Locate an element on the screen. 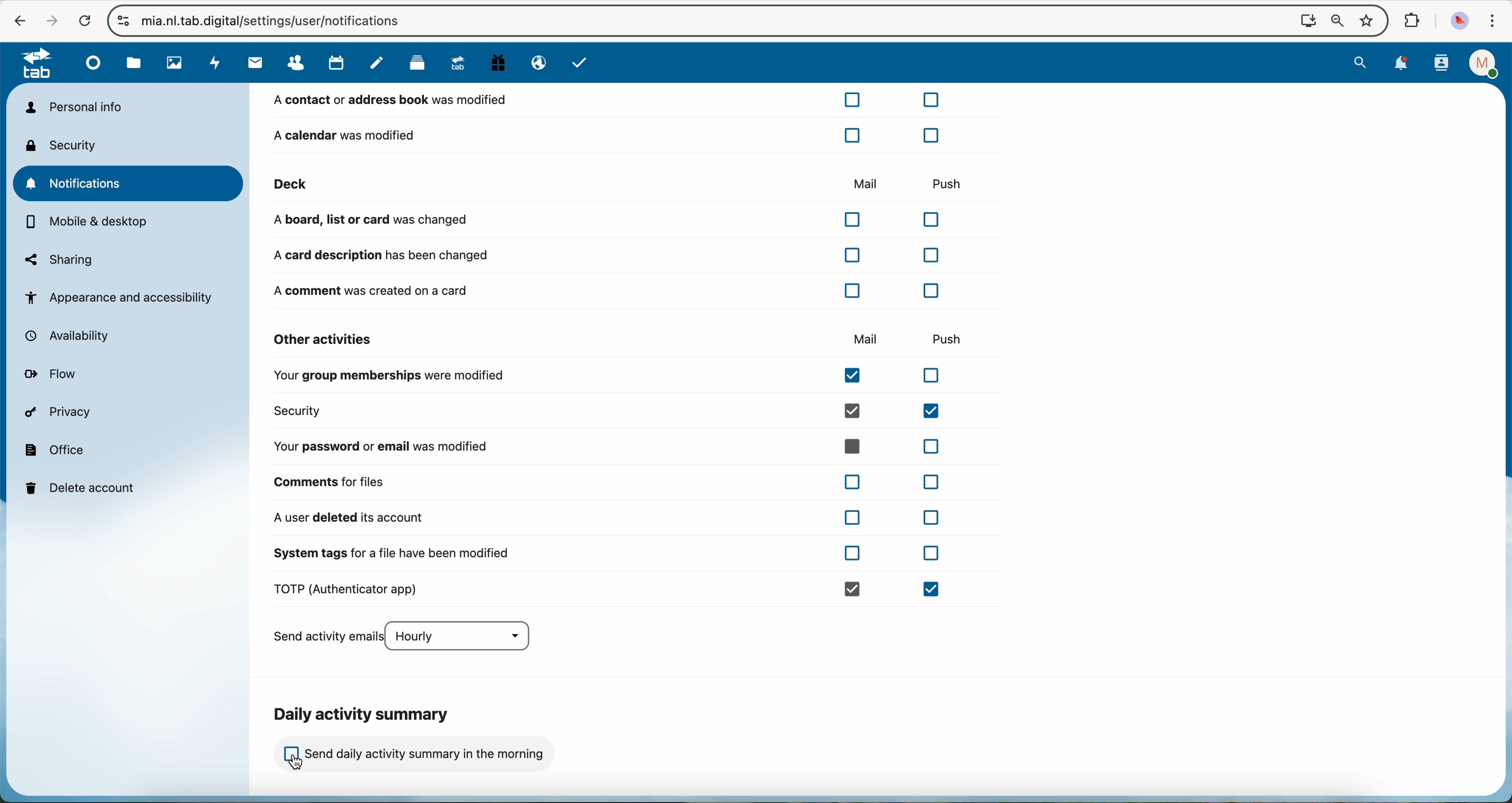 The width and height of the screenshot is (1512, 803). controls is located at coordinates (124, 21).